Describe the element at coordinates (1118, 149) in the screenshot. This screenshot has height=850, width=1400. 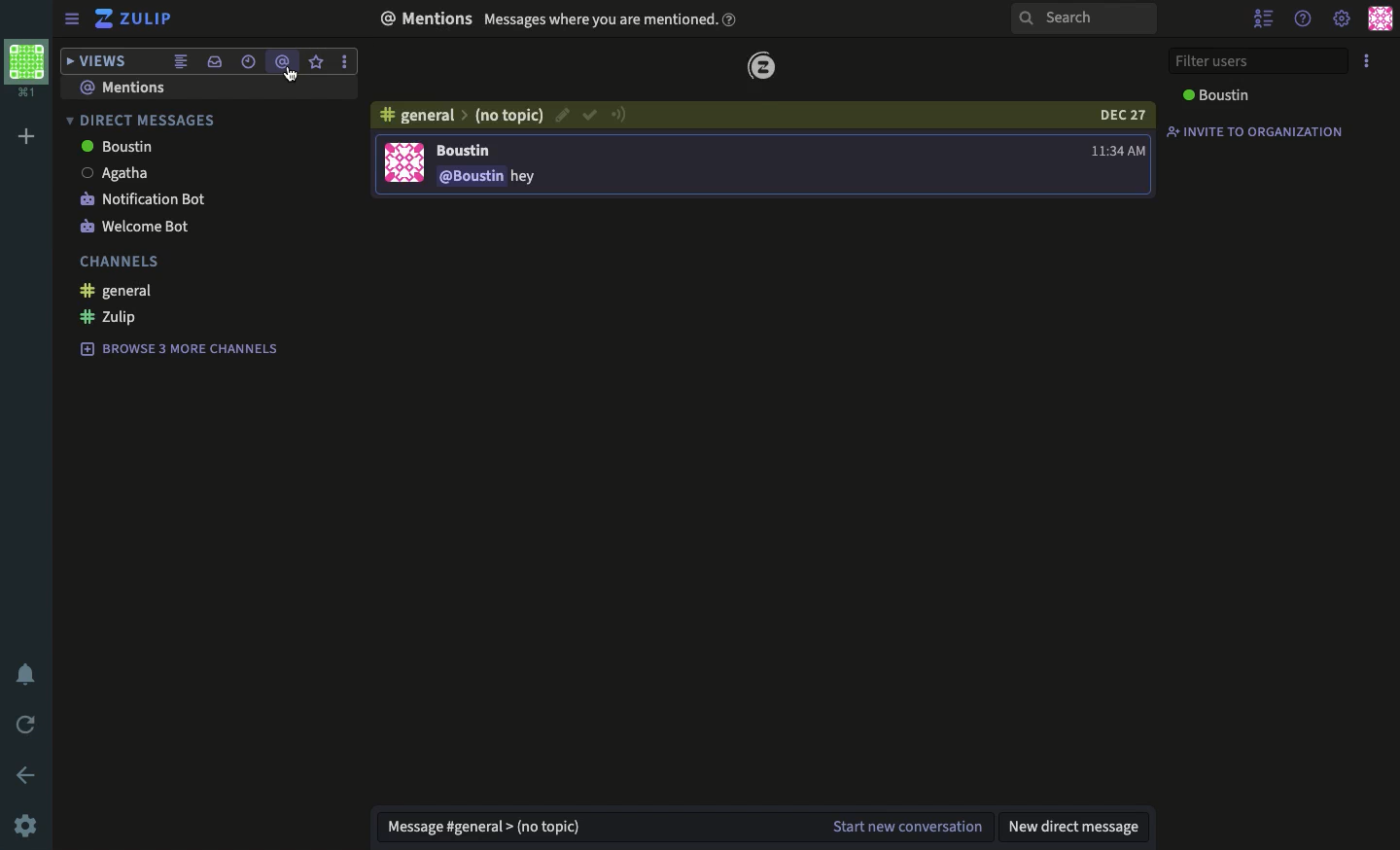
I see `time` at that location.